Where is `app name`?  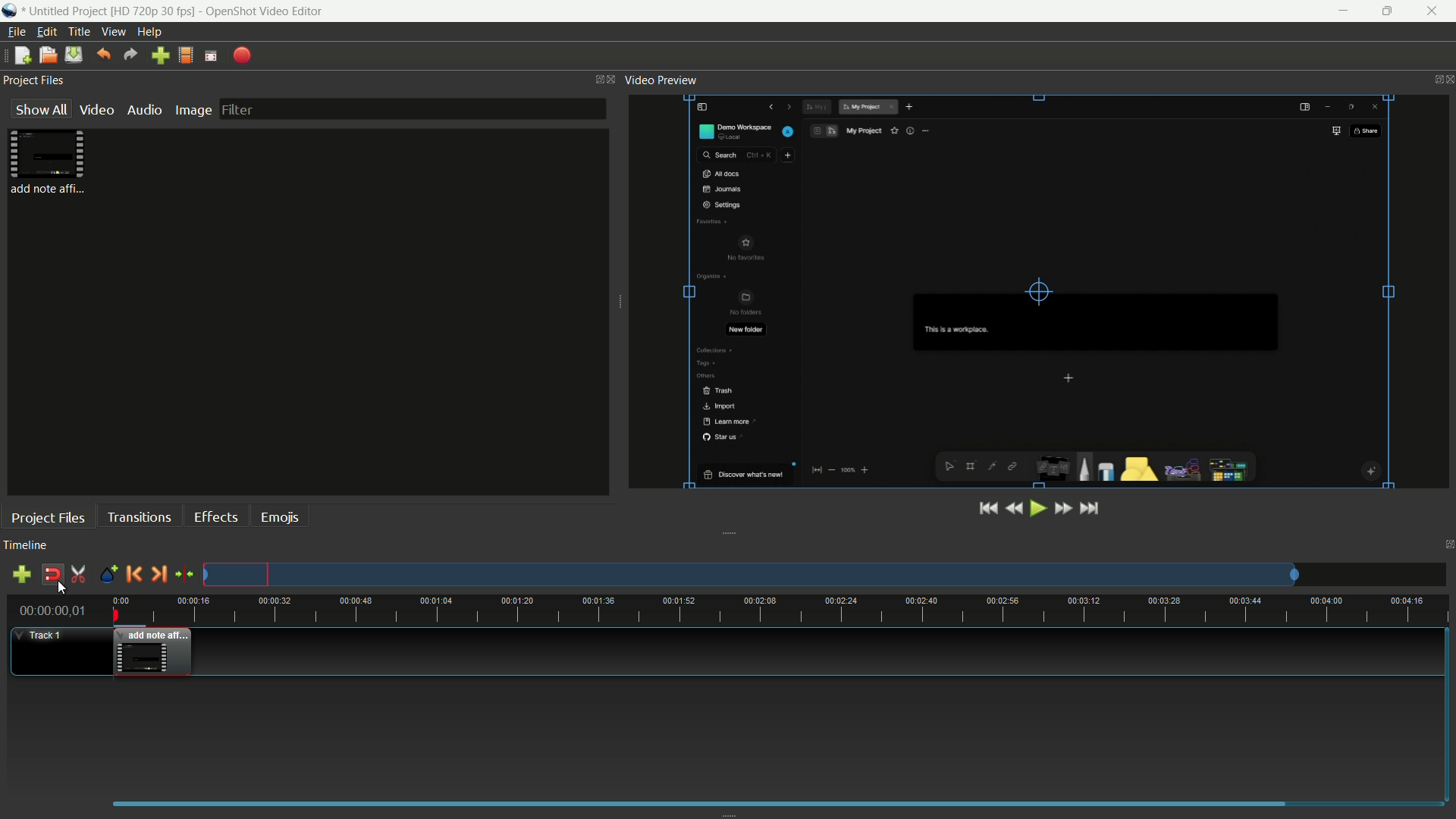
app name is located at coordinates (266, 11).